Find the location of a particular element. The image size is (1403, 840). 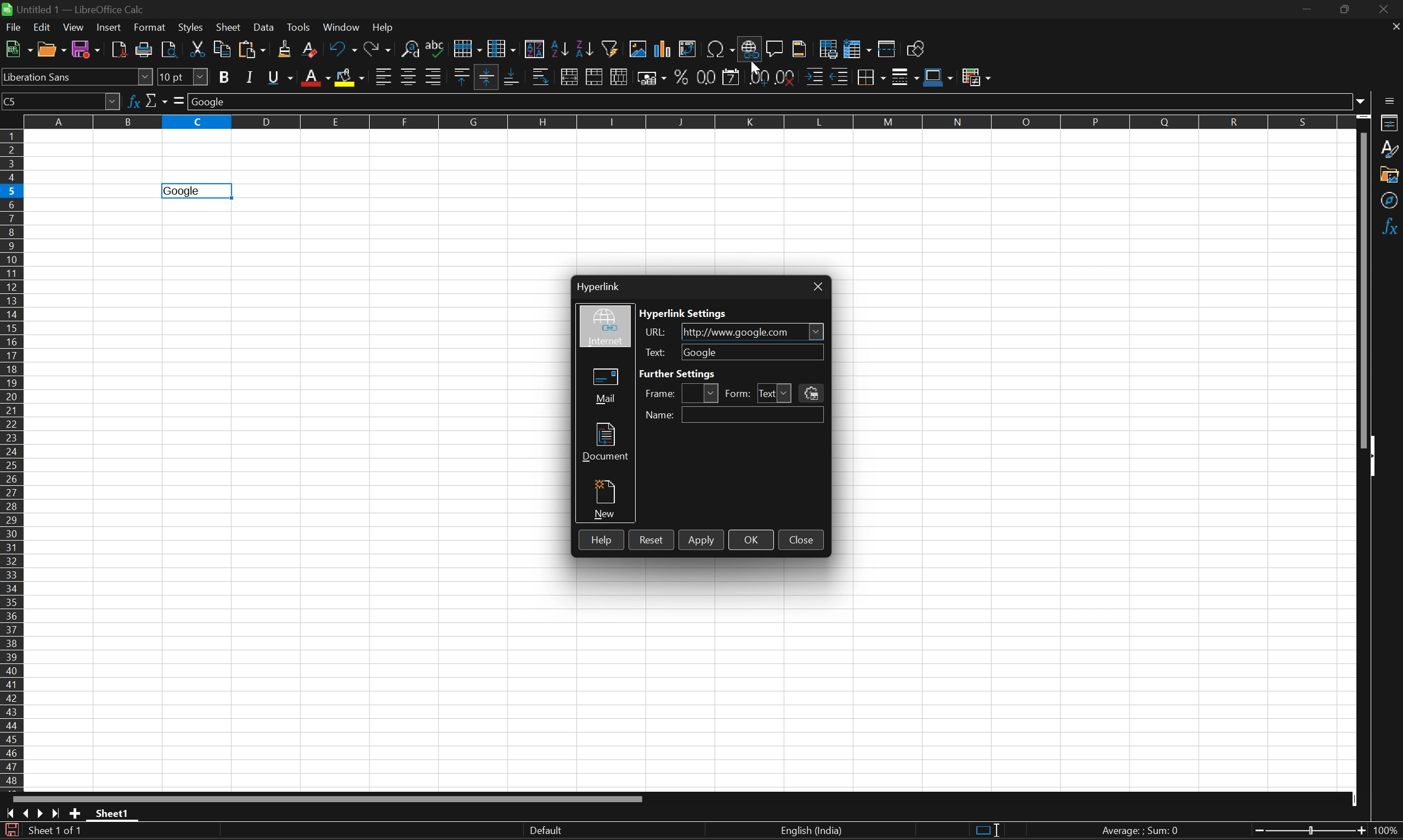

Text: is located at coordinates (655, 353).